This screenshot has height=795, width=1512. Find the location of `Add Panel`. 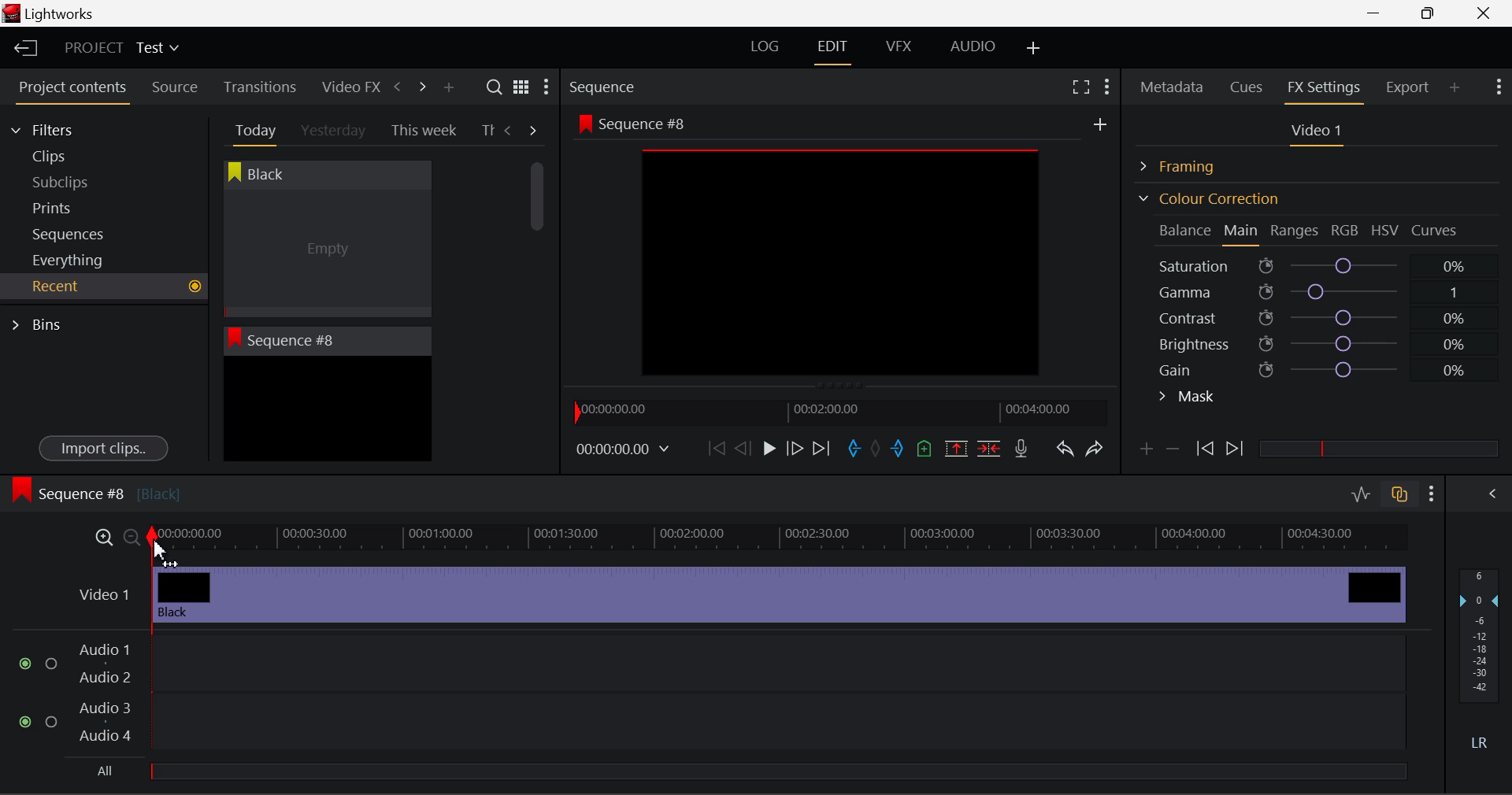

Add Panel is located at coordinates (448, 88).